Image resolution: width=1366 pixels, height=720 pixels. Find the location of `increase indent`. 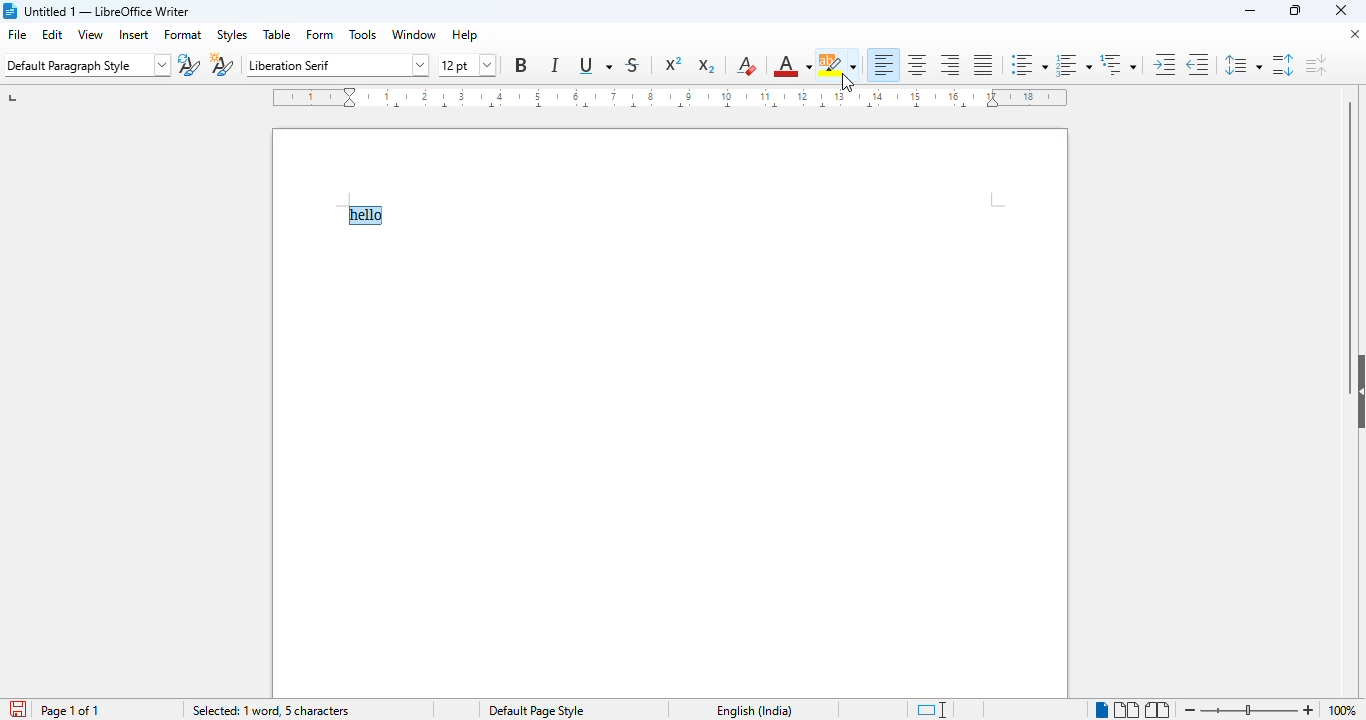

increase indent is located at coordinates (1163, 64).